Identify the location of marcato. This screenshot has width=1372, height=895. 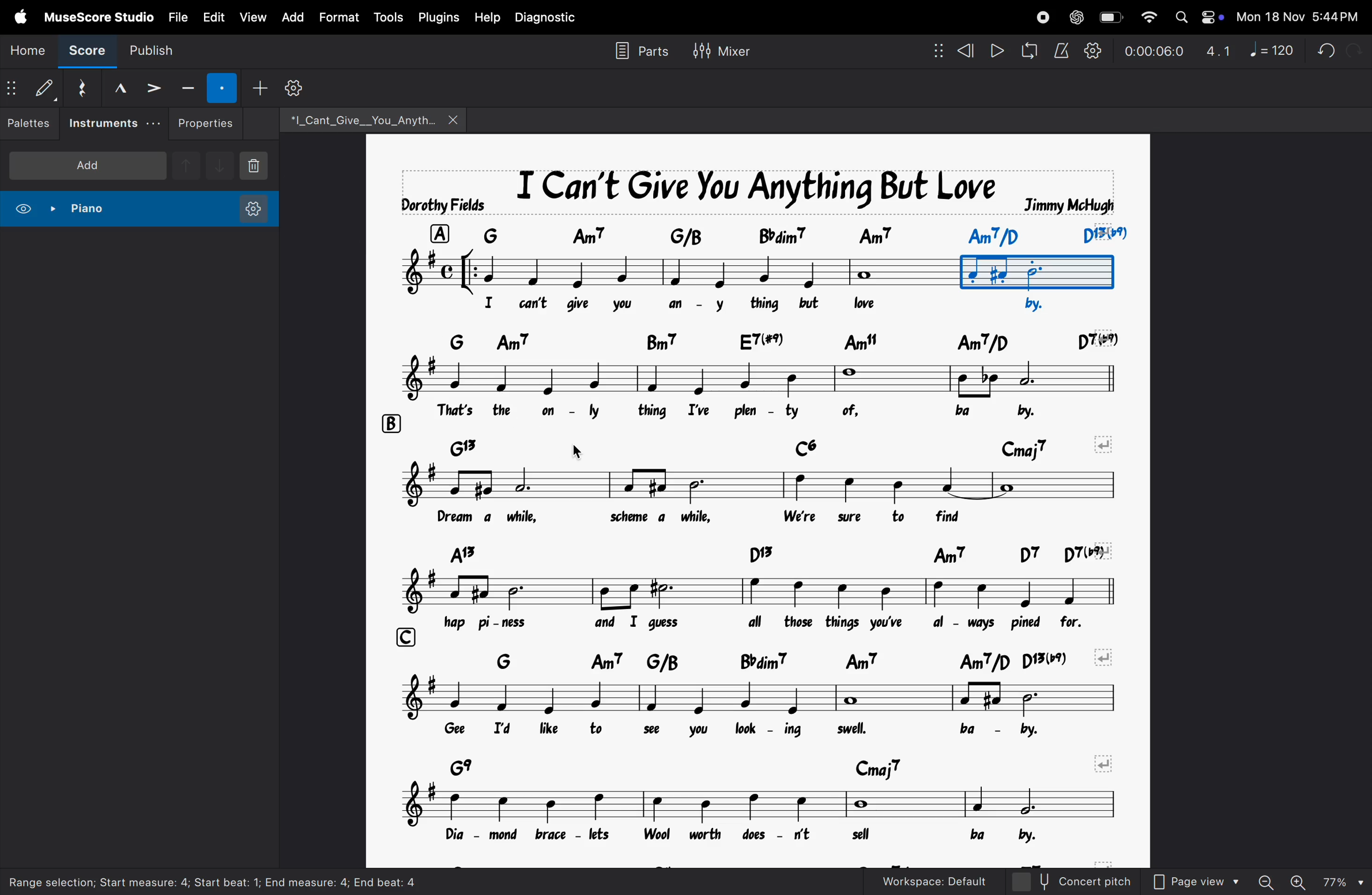
(123, 88).